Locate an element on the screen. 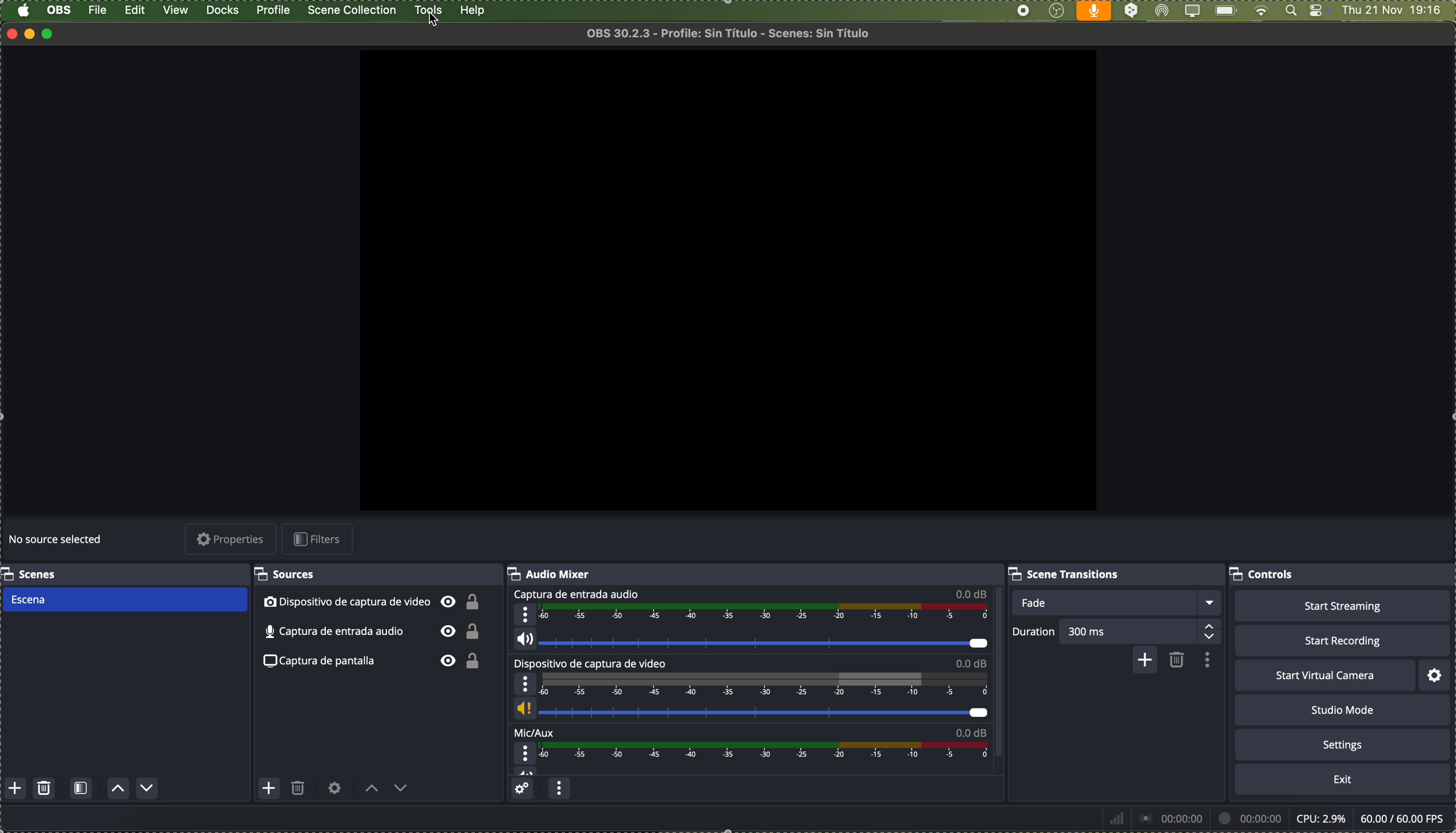  DeepL is located at coordinates (1132, 11).